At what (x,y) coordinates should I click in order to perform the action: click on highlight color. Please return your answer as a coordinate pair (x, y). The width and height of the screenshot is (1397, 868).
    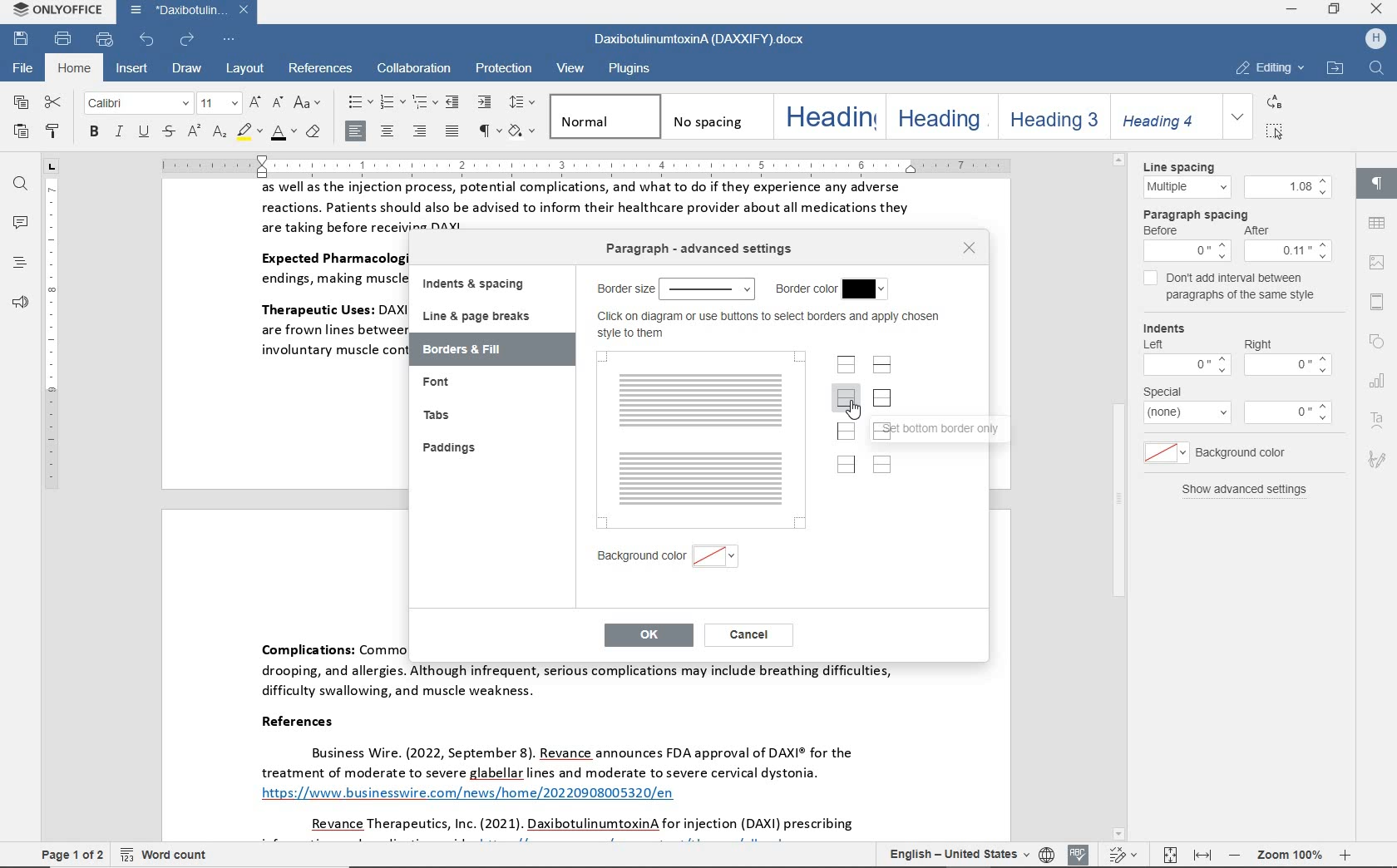
    Looking at the image, I should click on (250, 133).